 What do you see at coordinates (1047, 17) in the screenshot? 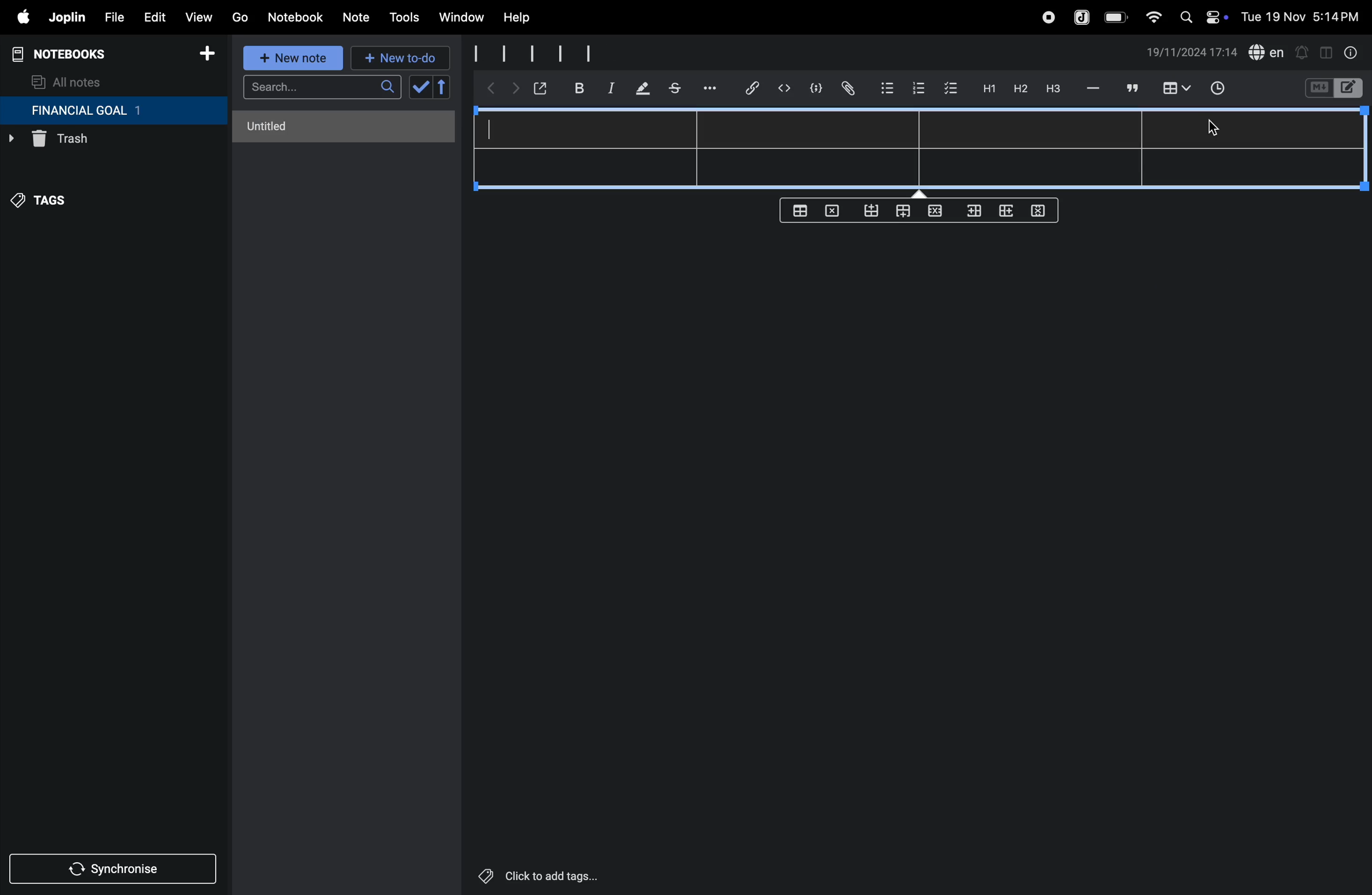
I see `record` at bounding box center [1047, 17].